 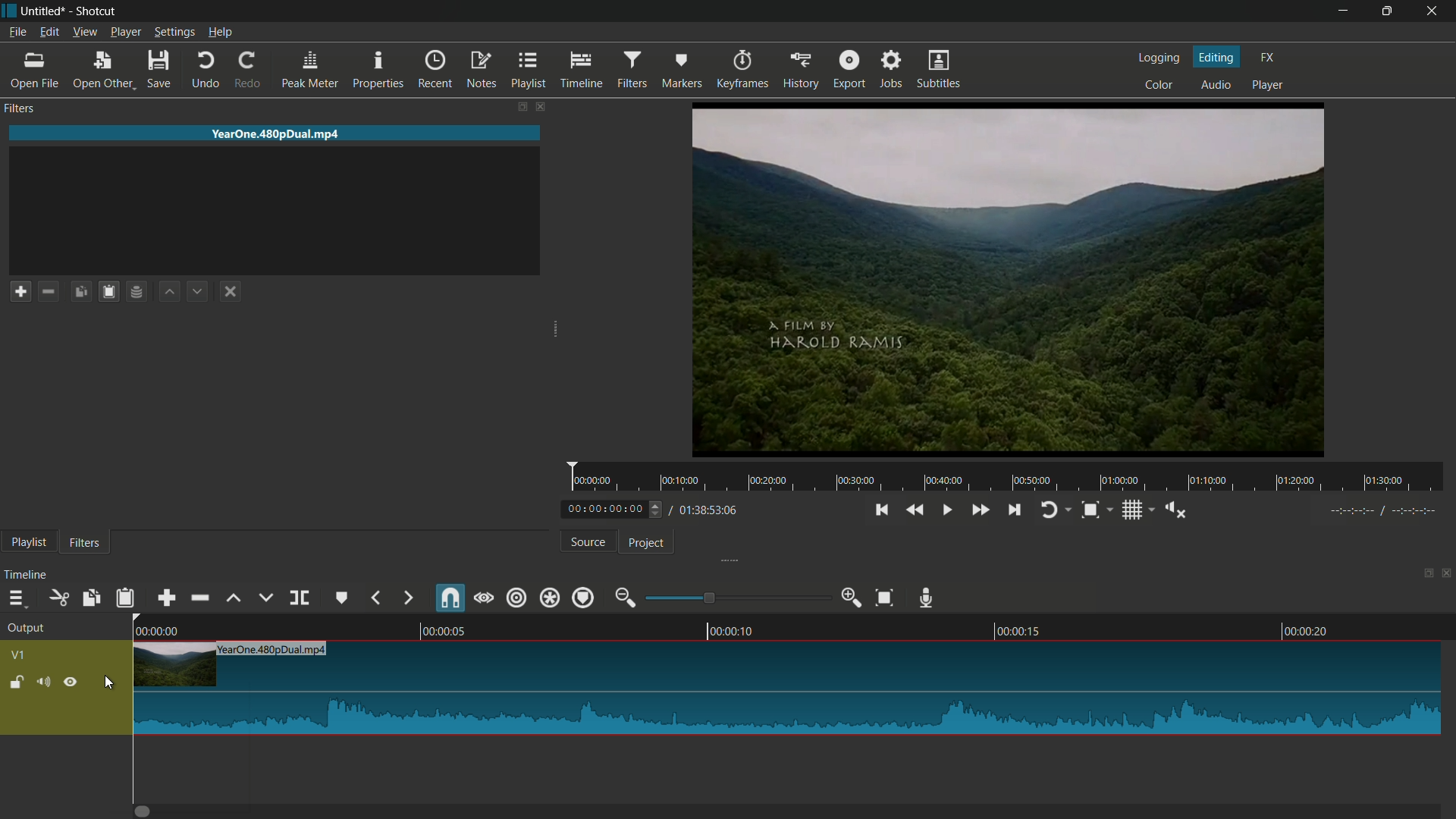 What do you see at coordinates (108, 683) in the screenshot?
I see `cursor` at bounding box center [108, 683].